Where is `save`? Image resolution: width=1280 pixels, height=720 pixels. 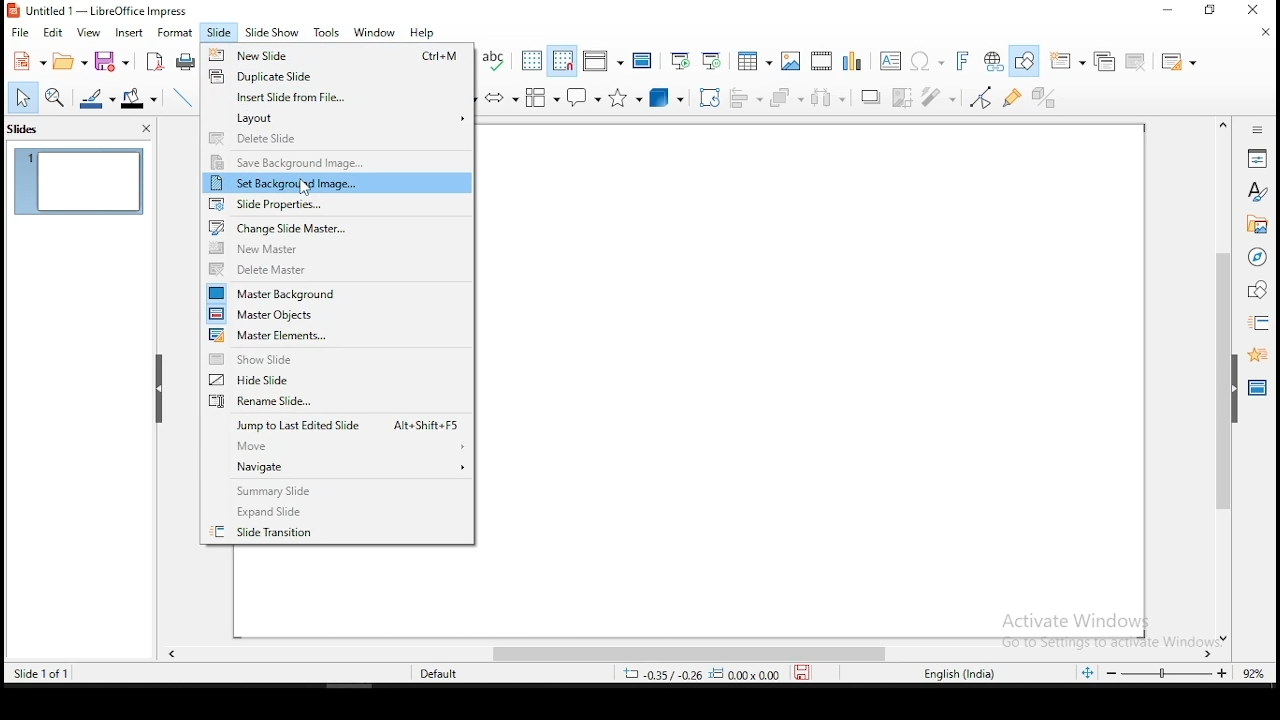 save is located at coordinates (803, 675).